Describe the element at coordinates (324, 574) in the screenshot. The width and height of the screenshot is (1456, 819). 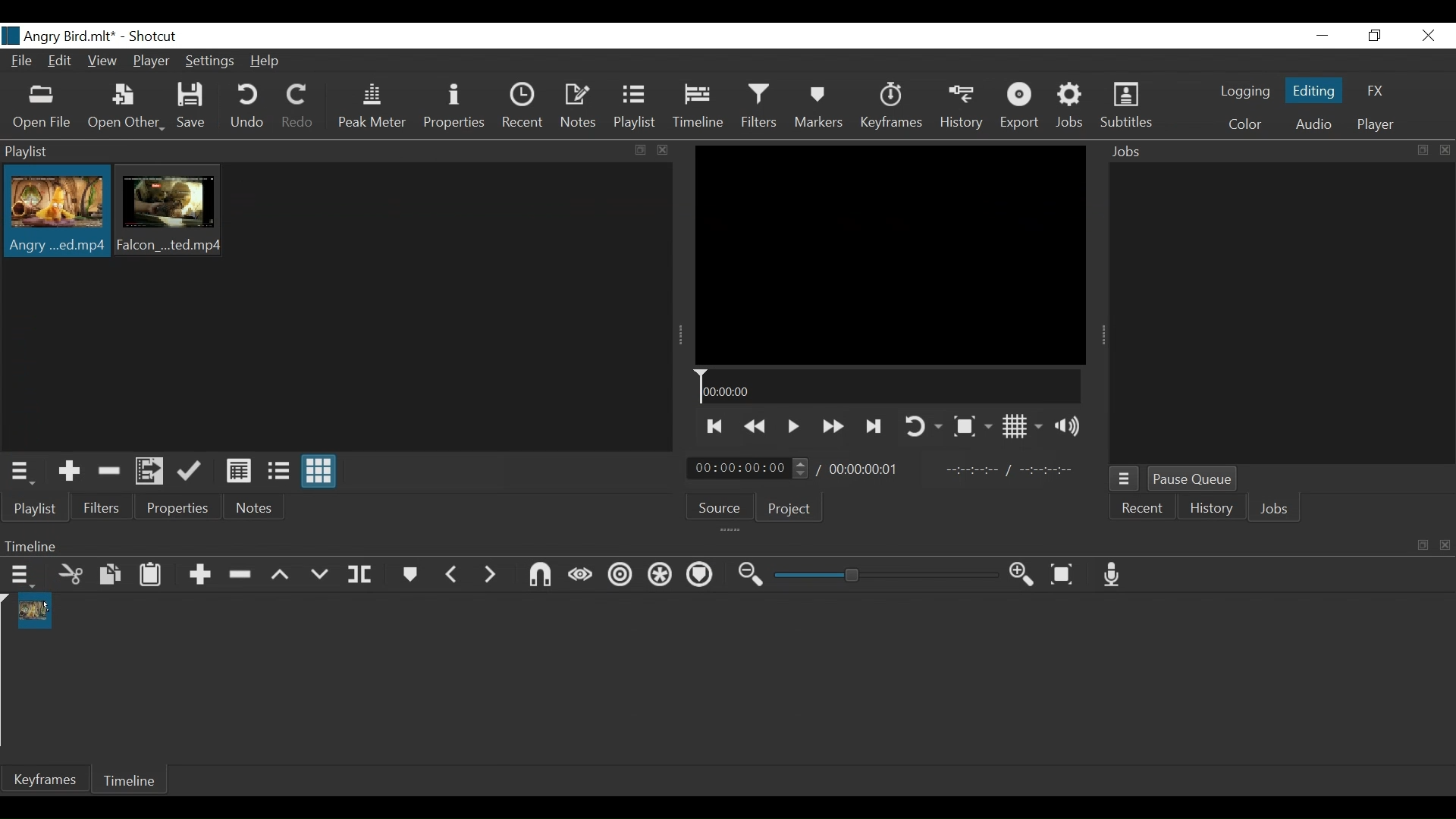
I see `Overwrite` at that location.